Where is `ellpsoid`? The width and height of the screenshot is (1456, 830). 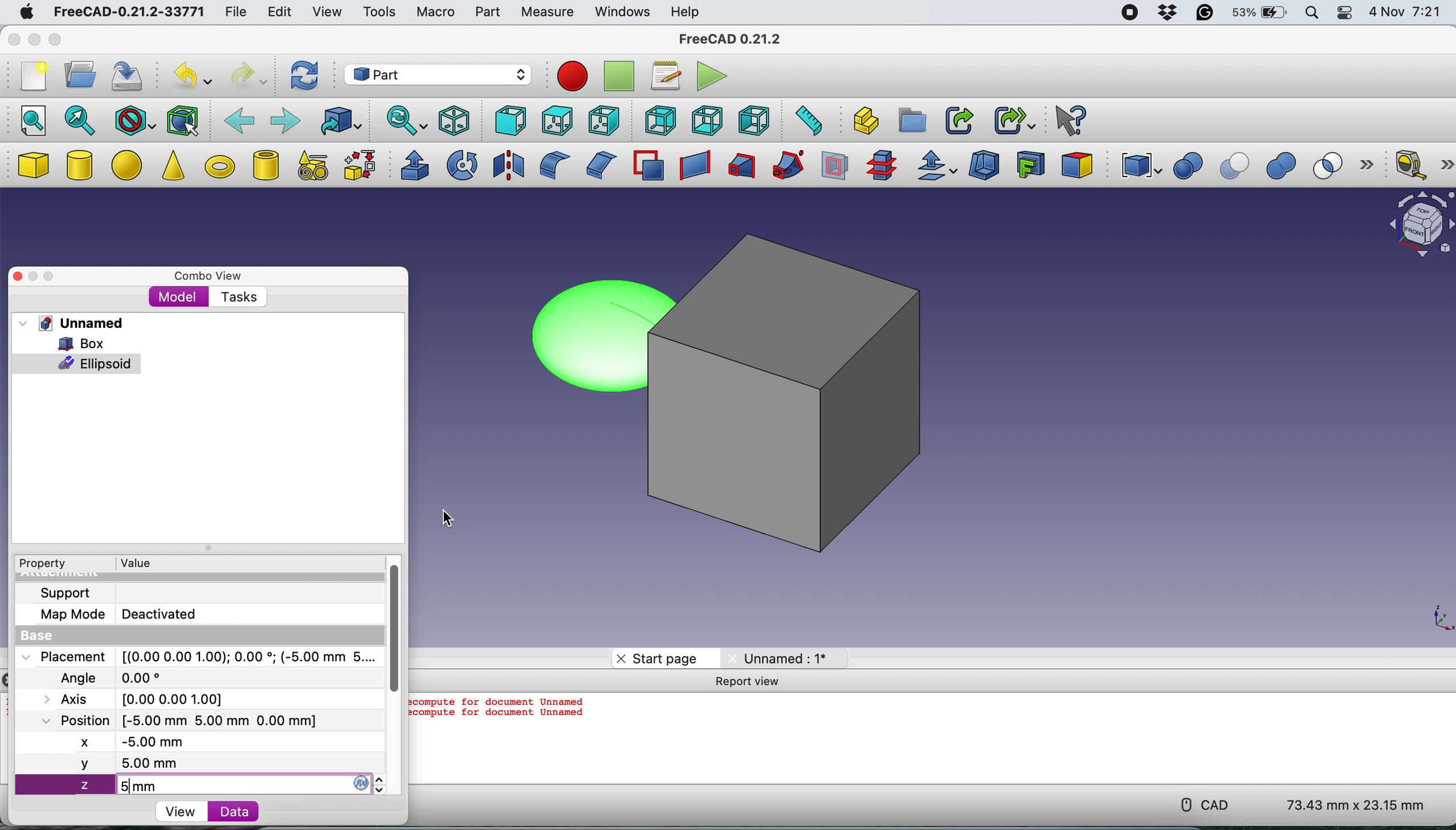
ellpsoid is located at coordinates (78, 363).